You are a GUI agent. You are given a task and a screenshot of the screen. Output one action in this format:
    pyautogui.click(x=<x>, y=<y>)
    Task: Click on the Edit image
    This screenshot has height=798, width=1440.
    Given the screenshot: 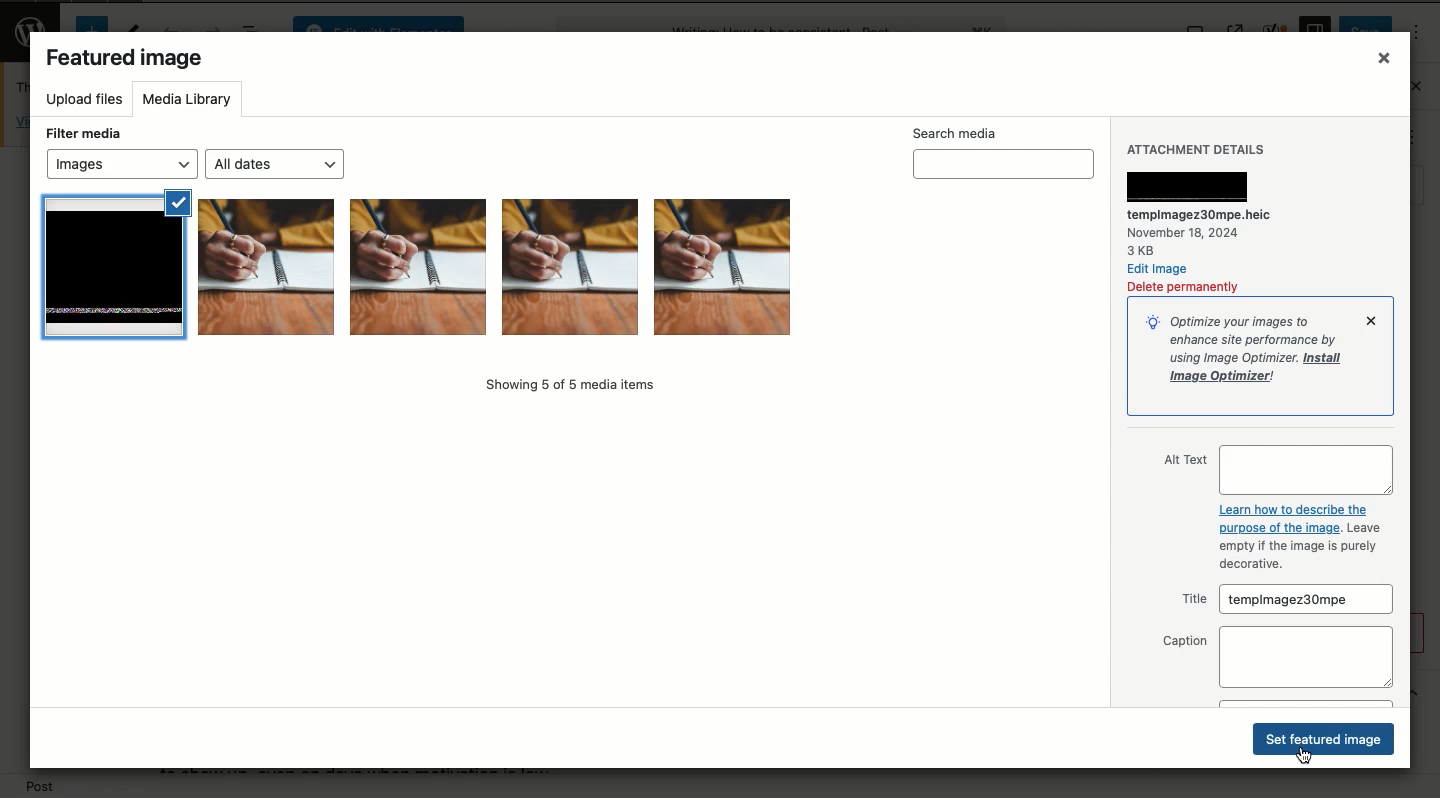 What is the action you would take?
    pyautogui.click(x=1156, y=270)
    